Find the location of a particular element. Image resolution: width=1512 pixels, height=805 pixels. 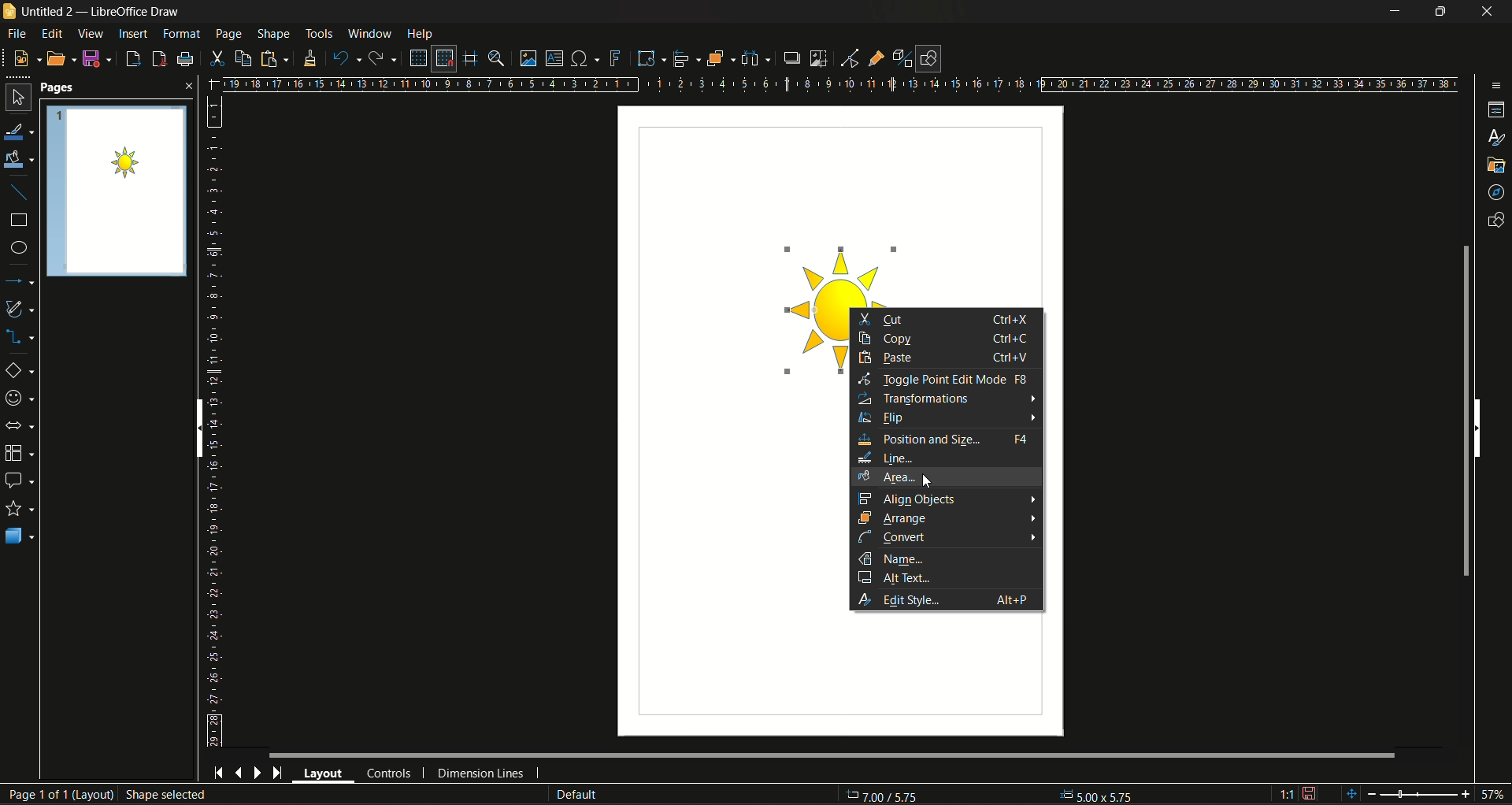

flip is located at coordinates (887, 419).